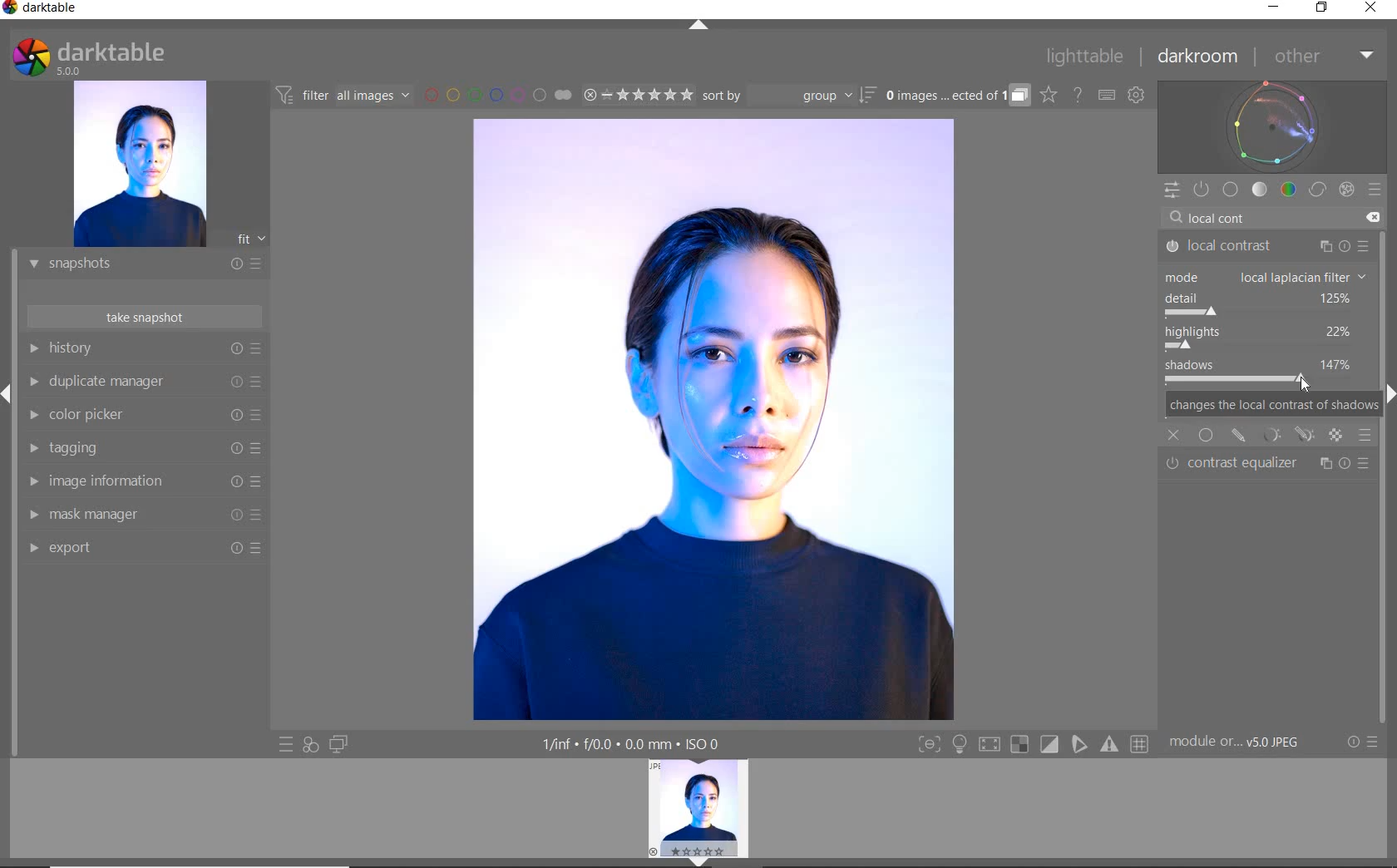  What do you see at coordinates (1080, 744) in the screenshot?
I see `Button` at bounding box center [1080, 744].